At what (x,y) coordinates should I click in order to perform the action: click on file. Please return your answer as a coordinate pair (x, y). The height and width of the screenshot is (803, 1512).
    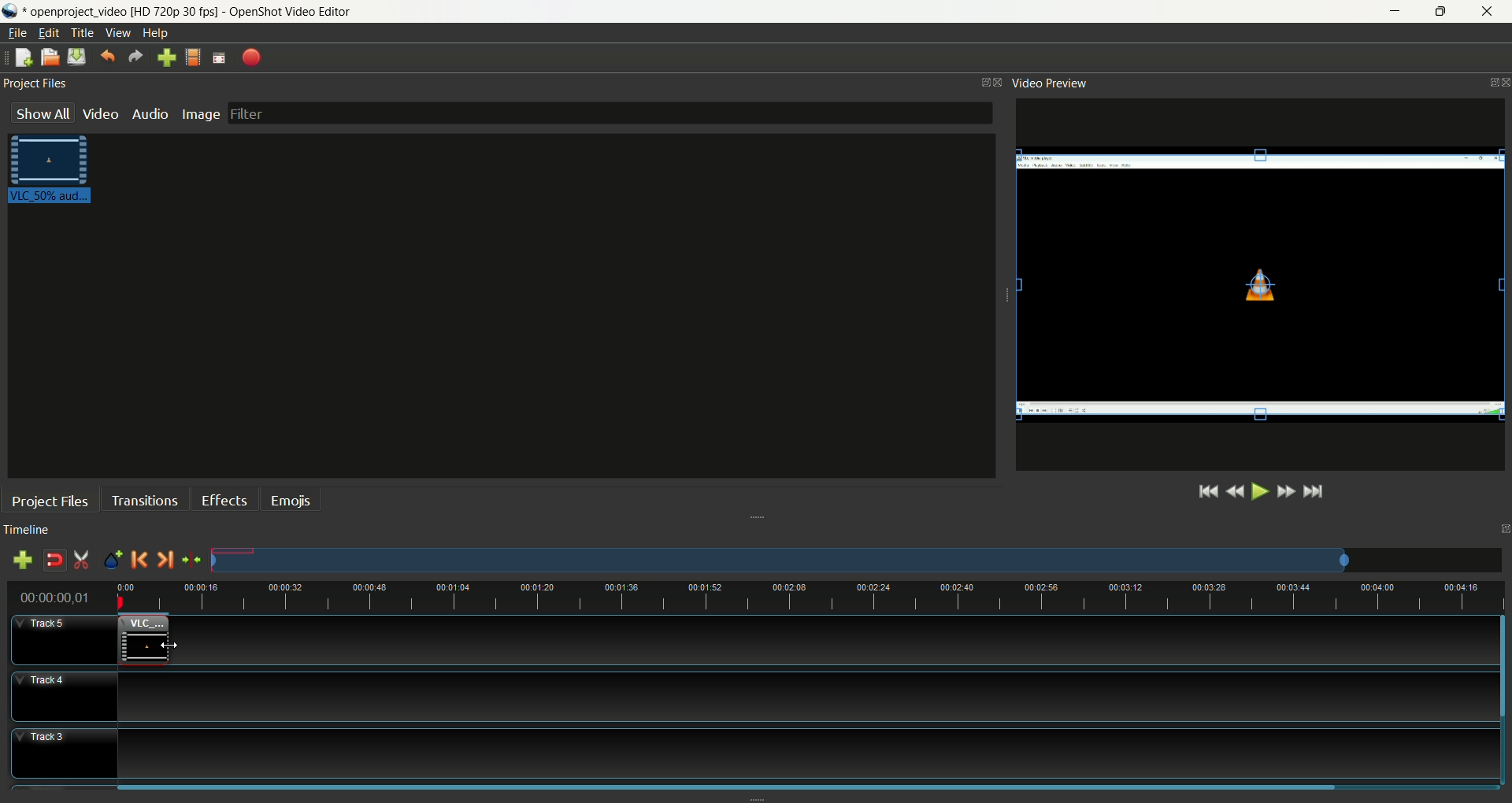
    Looking at the image, I should click on (22, 33).